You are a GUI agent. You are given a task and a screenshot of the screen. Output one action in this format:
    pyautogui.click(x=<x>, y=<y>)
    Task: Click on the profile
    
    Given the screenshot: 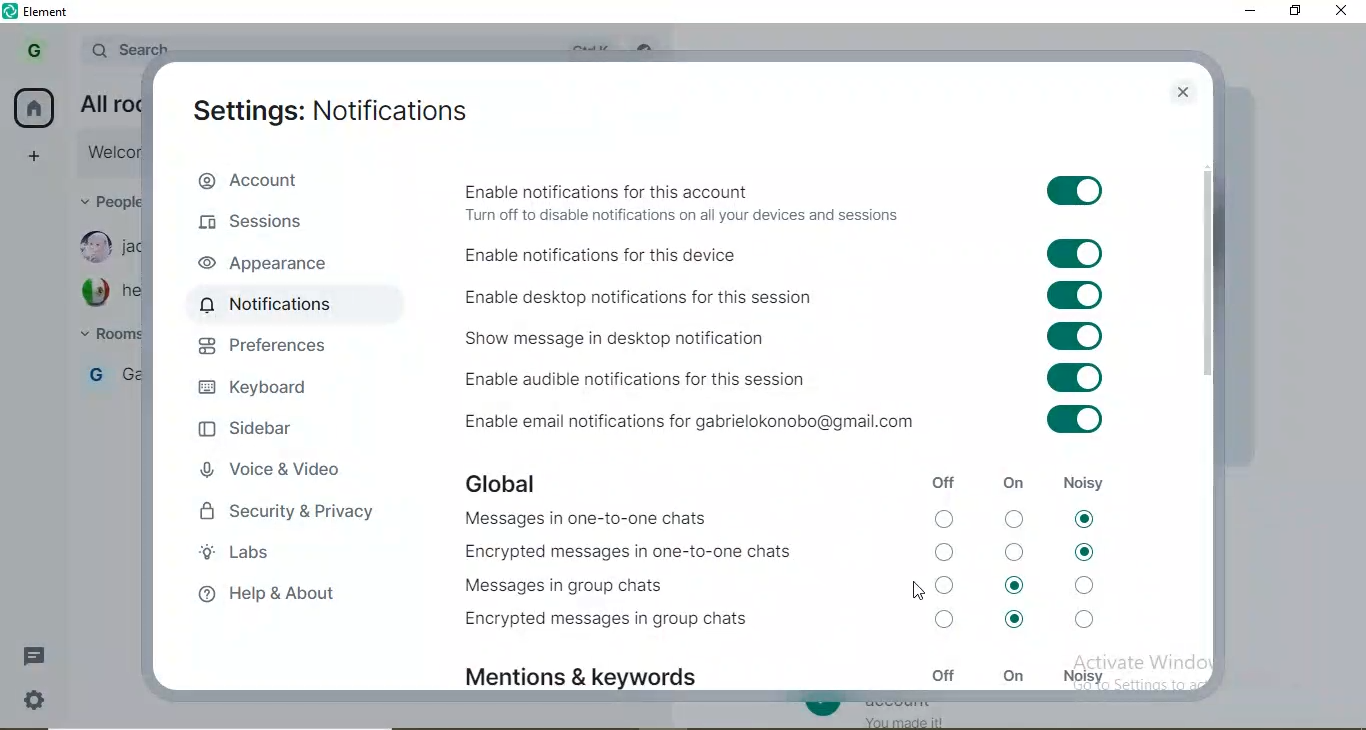 What is the action you would take?
    pyautogui.click(x=32, y=52)
    